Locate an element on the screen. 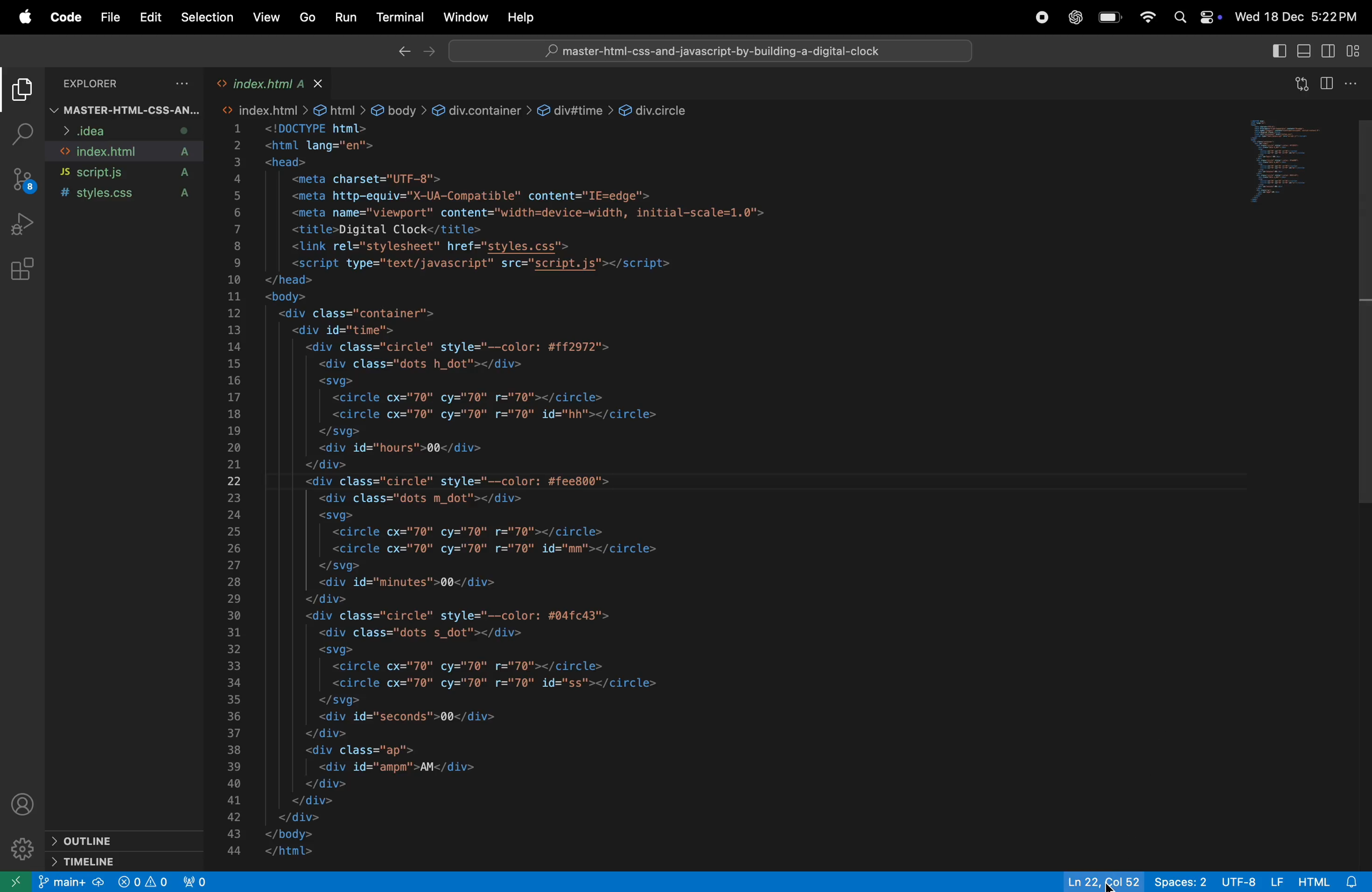  date and time is located at coordinates (1299, 18).